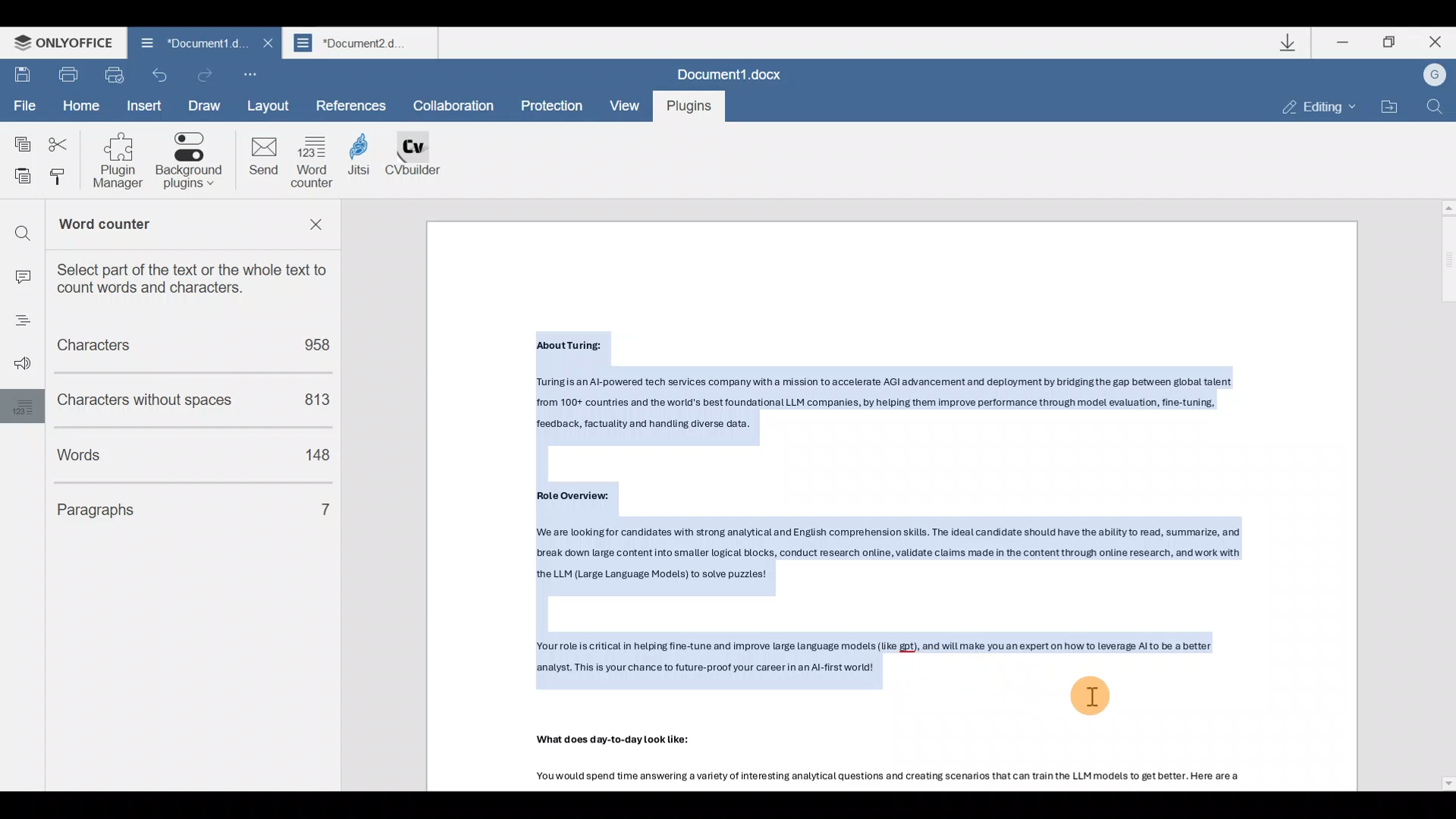 The image size is (1456, 819). What do you see at coordinates (918, 762) in the screenshot?
I see `What does day-to-day Look like:
Youwould spend time answering a variety of interesting analytical questions and creating scenarios that can train the LLM models to get better. Here are a` at bounding box center [918, 762].